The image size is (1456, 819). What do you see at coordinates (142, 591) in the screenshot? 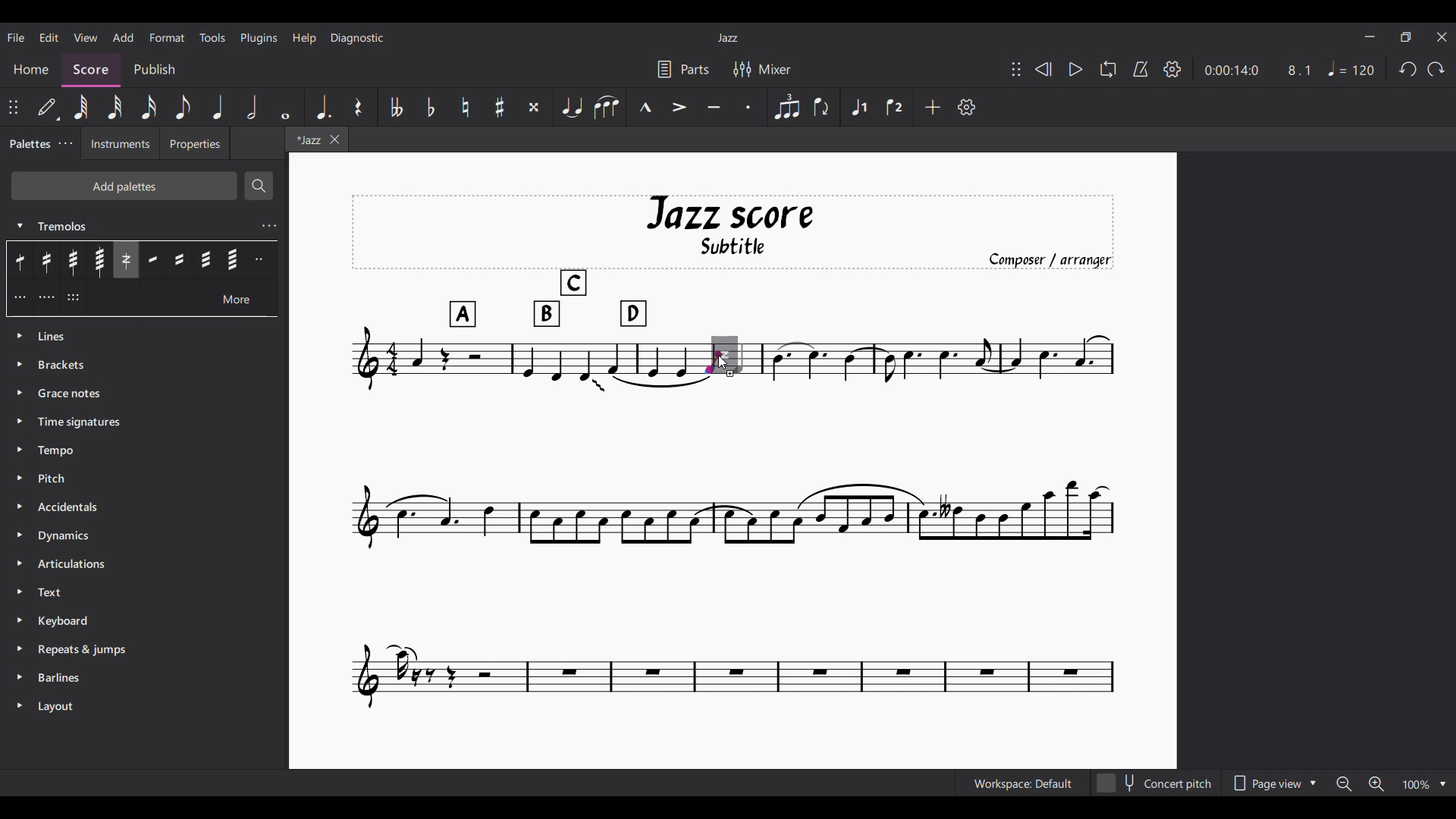
I see `Text` at bounding box center [142, 591].